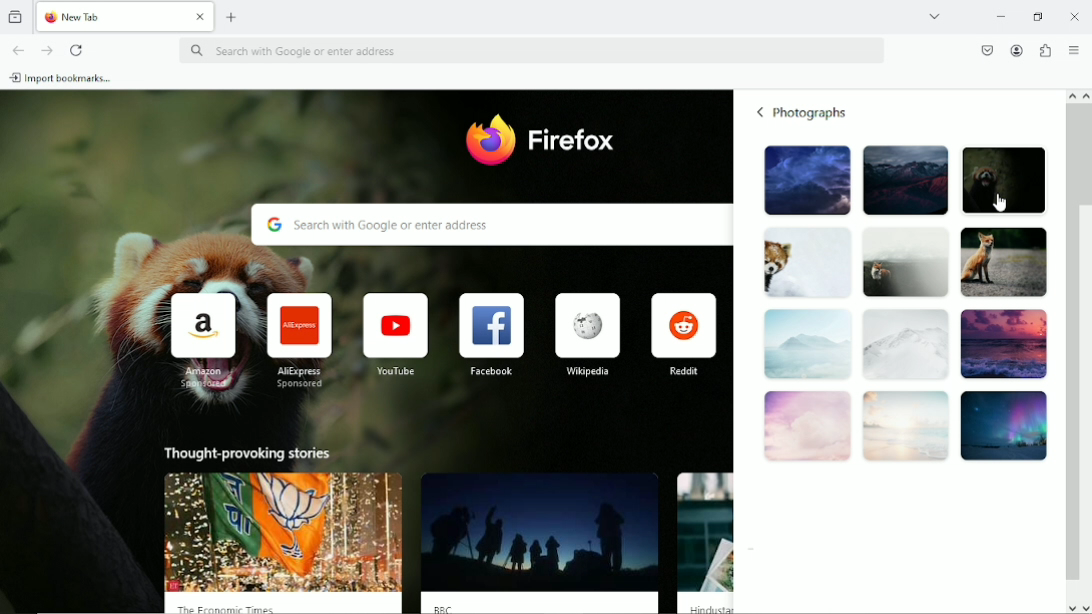 Image resolution: width=1092 pixels, height=614 pixels. Describe the element at coordinates (250, 454) in the screenshot. I see `Thought provoking stories` at that location.